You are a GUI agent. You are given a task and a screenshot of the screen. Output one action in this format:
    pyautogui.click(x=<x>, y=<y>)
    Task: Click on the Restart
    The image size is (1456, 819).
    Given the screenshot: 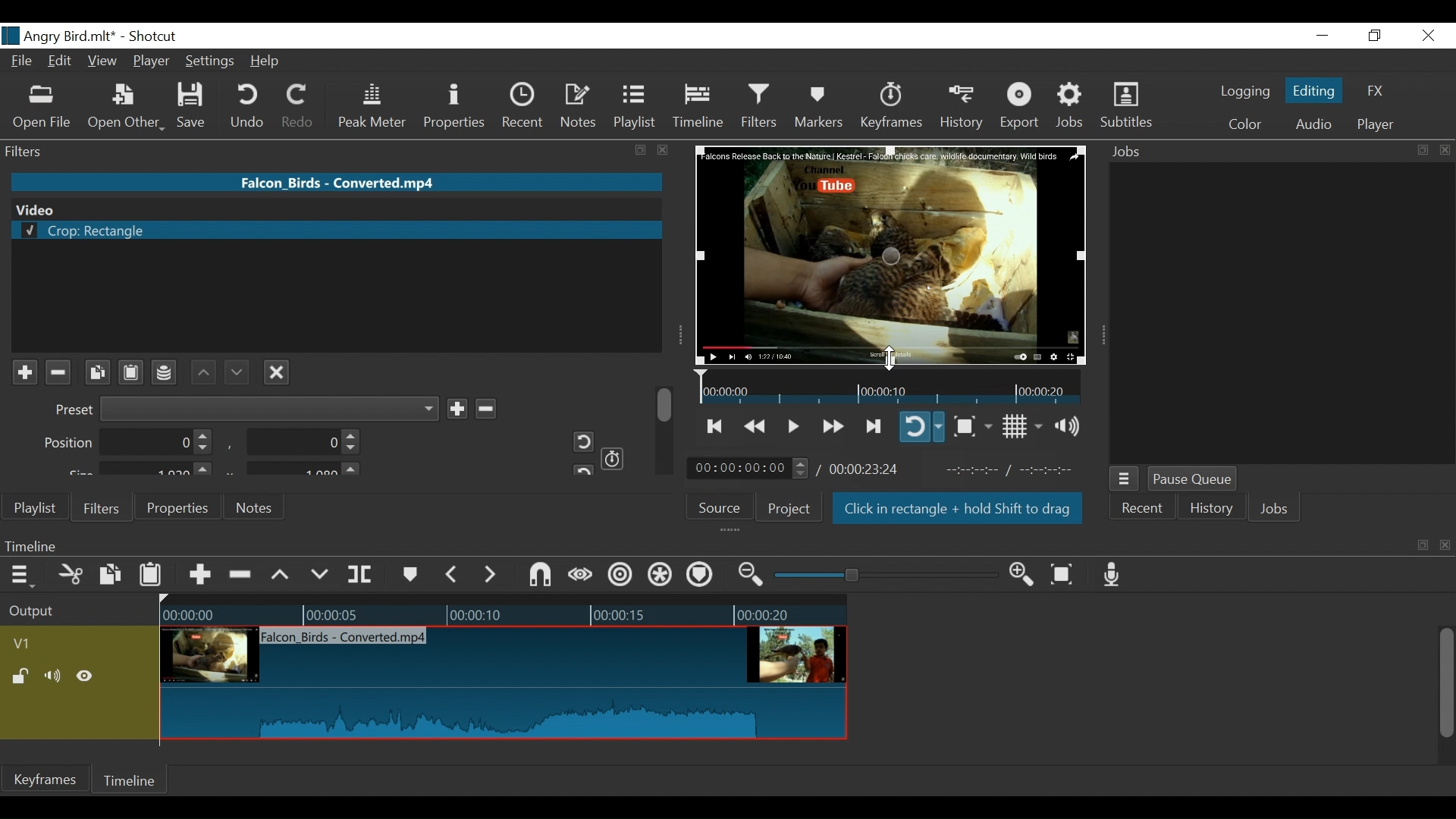 What is the action you would take?
    pyautogui.click(x=578, y=441)
    